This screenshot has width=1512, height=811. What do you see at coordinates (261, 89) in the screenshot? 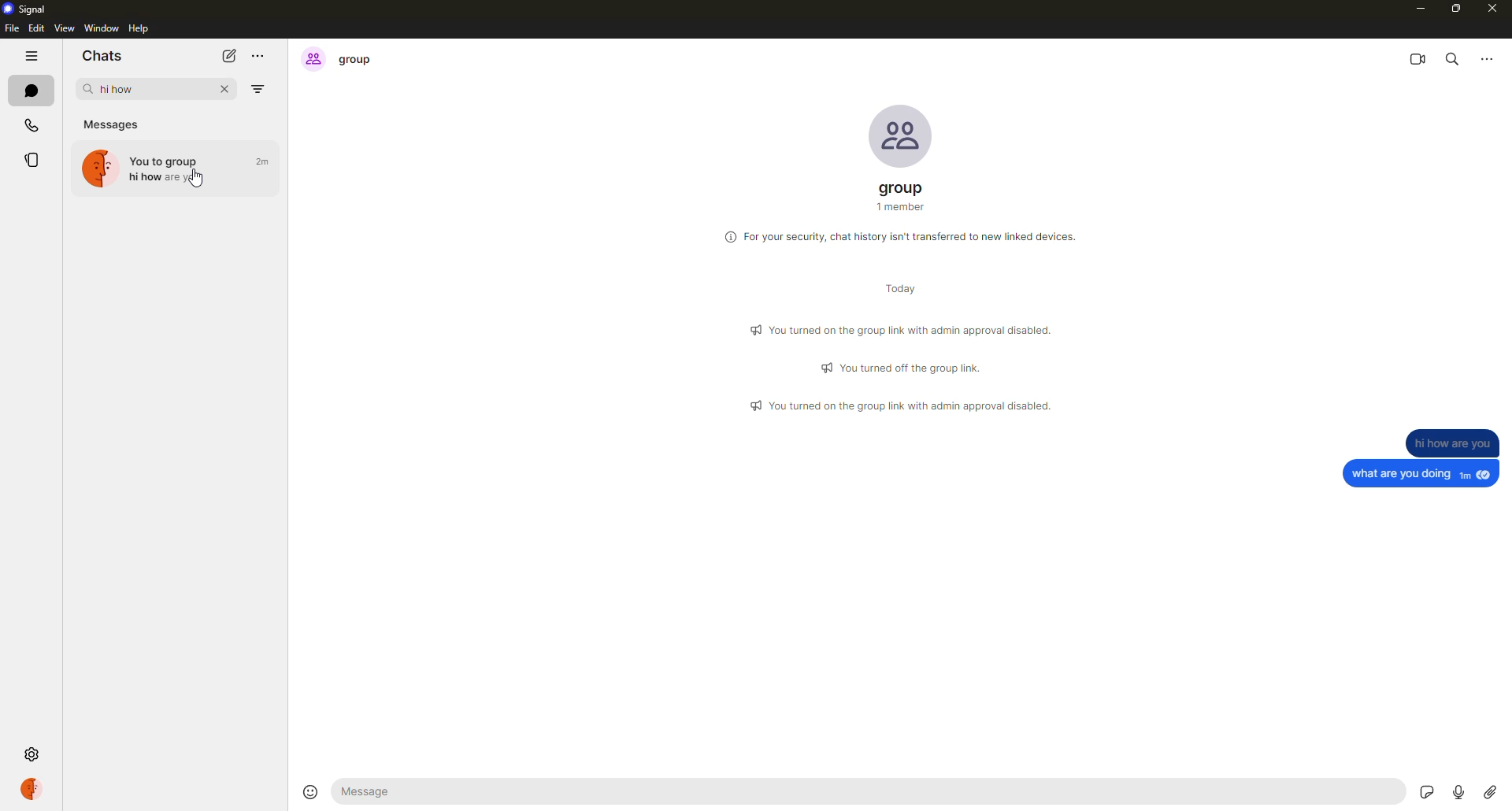
I see `filter` at bounding box center [261, 89].